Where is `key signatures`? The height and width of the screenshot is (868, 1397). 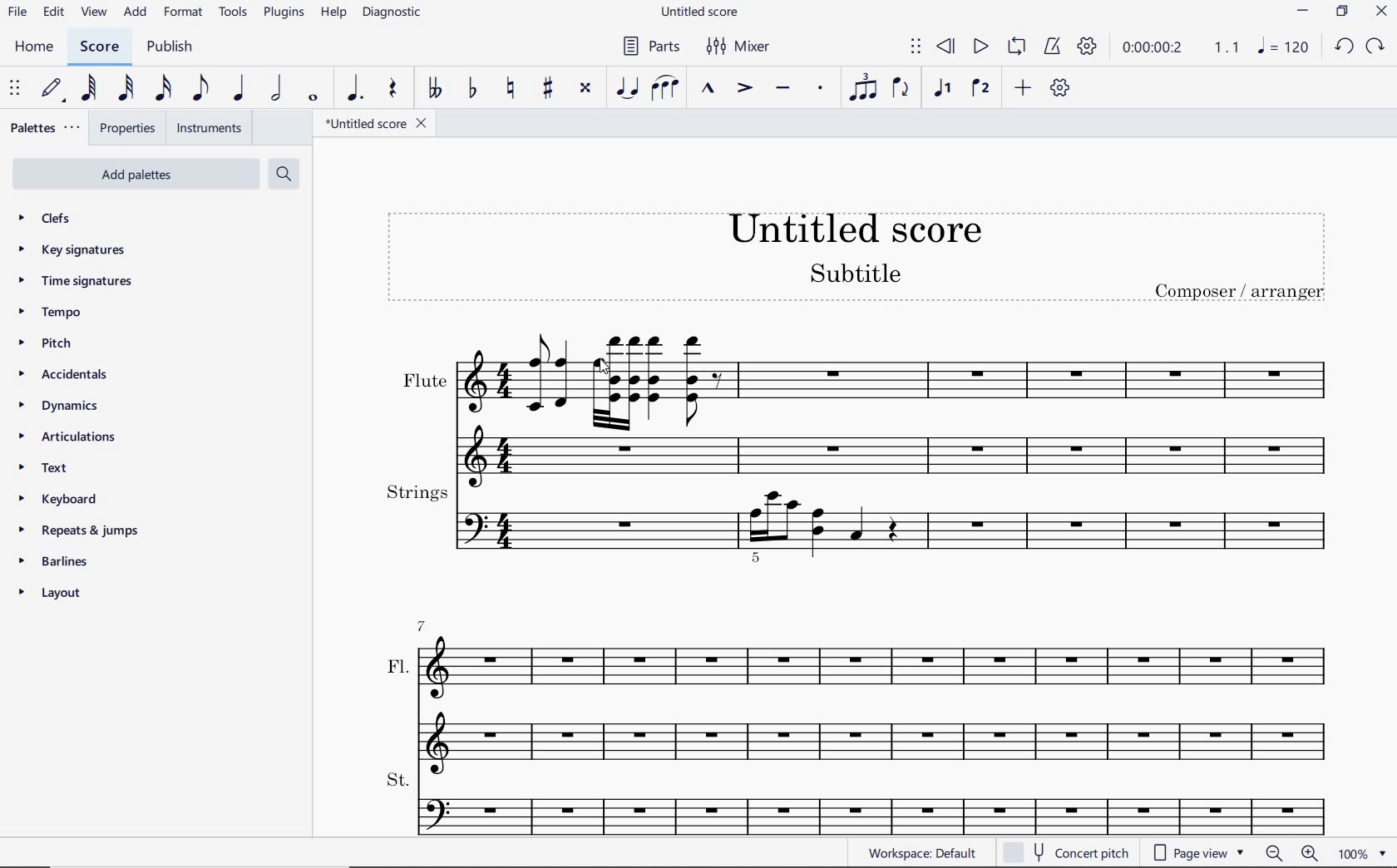
key signatures is located at coordinates (82, 250).